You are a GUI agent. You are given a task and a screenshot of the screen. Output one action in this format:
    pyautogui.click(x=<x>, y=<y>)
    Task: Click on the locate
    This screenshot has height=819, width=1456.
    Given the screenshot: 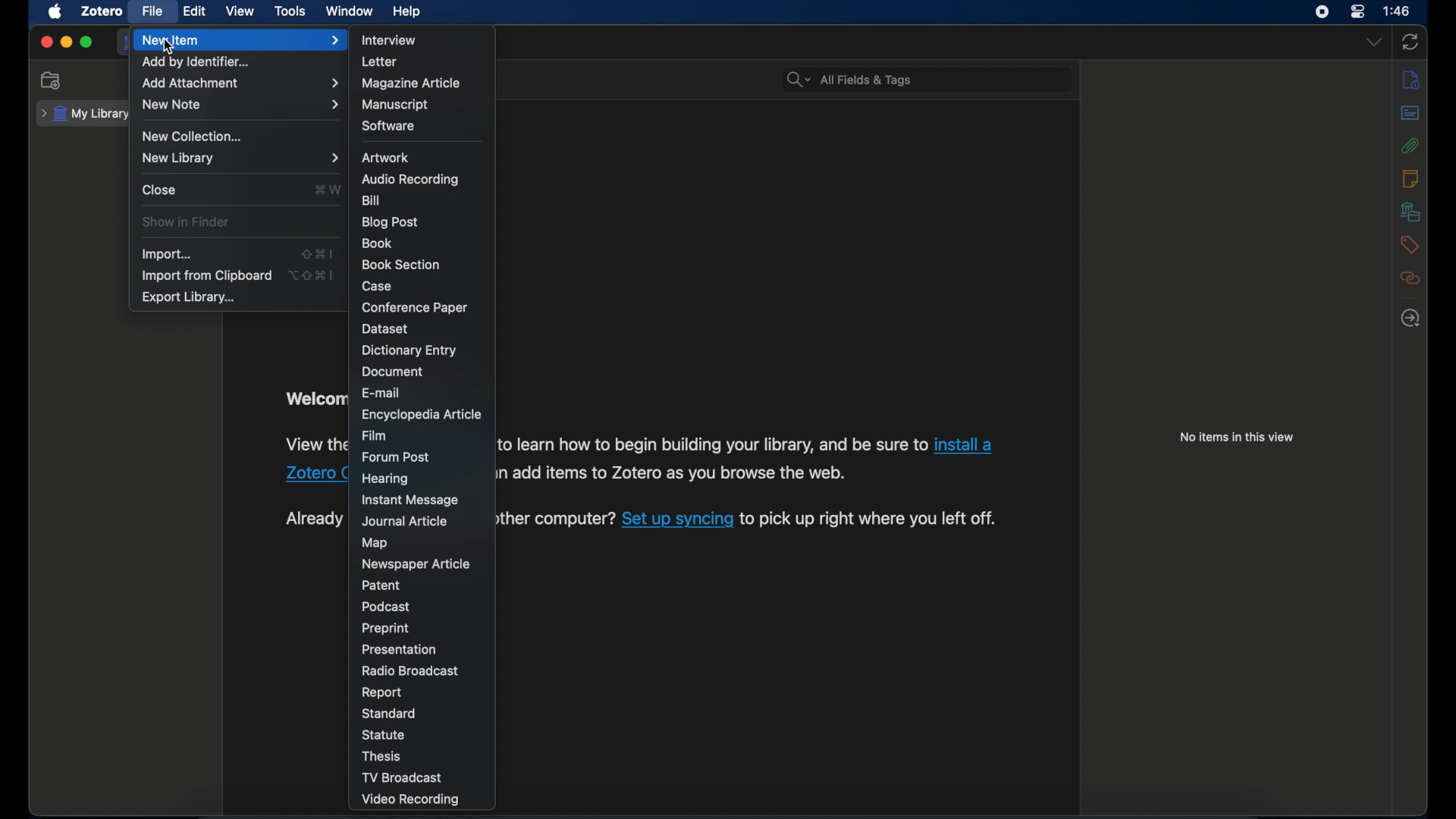 What is the action you would take?
    pyautogui.click(x=1410, y=318)
    